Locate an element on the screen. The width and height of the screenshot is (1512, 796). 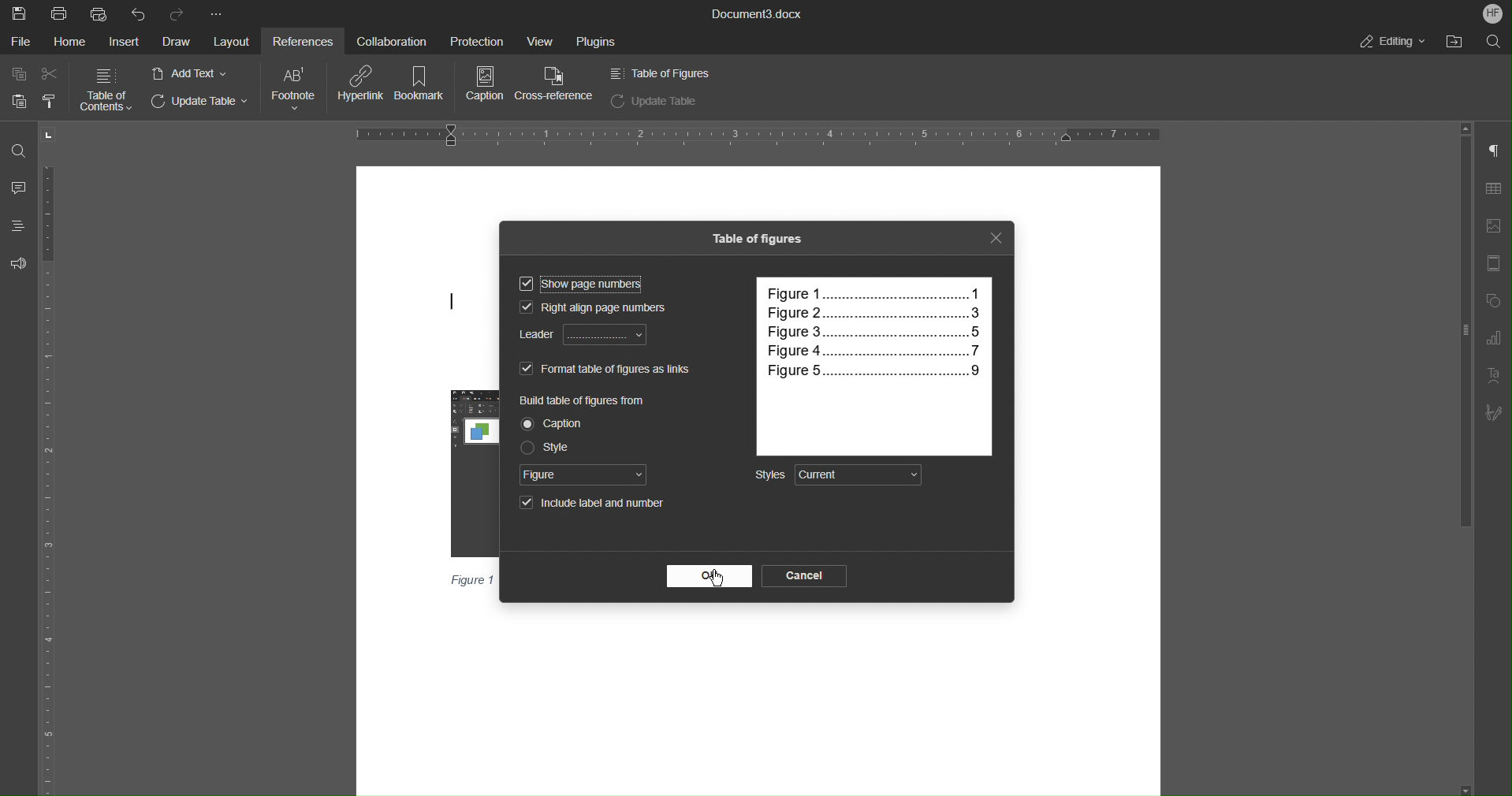
pointer is located at coordinates (718, 578).